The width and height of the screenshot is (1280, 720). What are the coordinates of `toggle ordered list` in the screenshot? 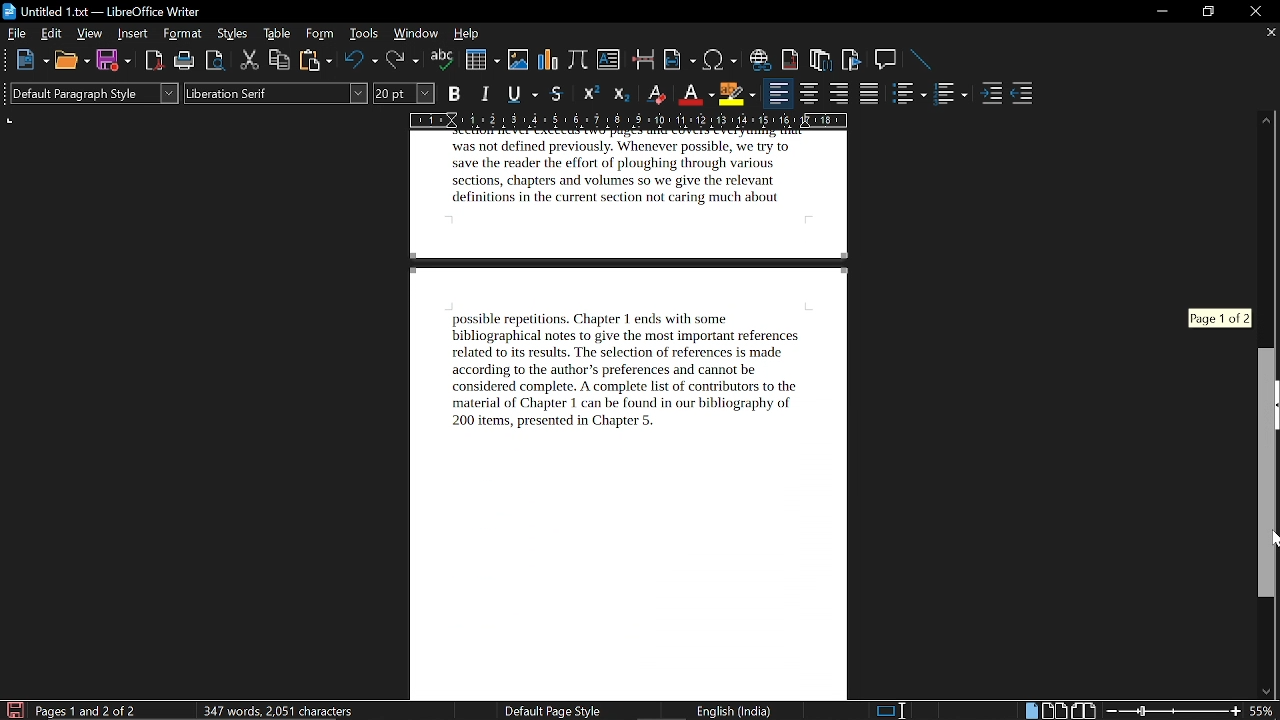 It's located at (910, 95).